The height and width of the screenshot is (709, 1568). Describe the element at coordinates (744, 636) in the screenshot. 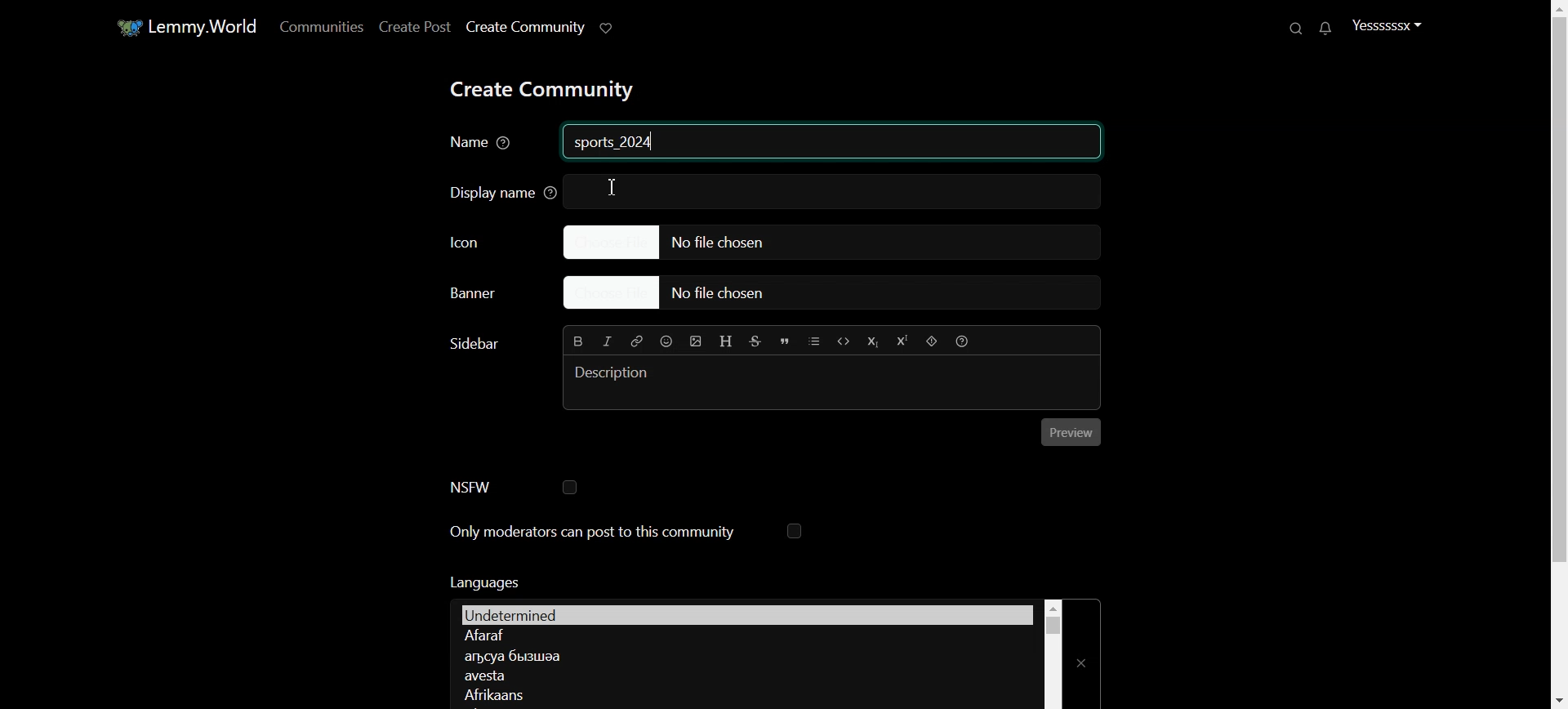

I see `Language` at that location.